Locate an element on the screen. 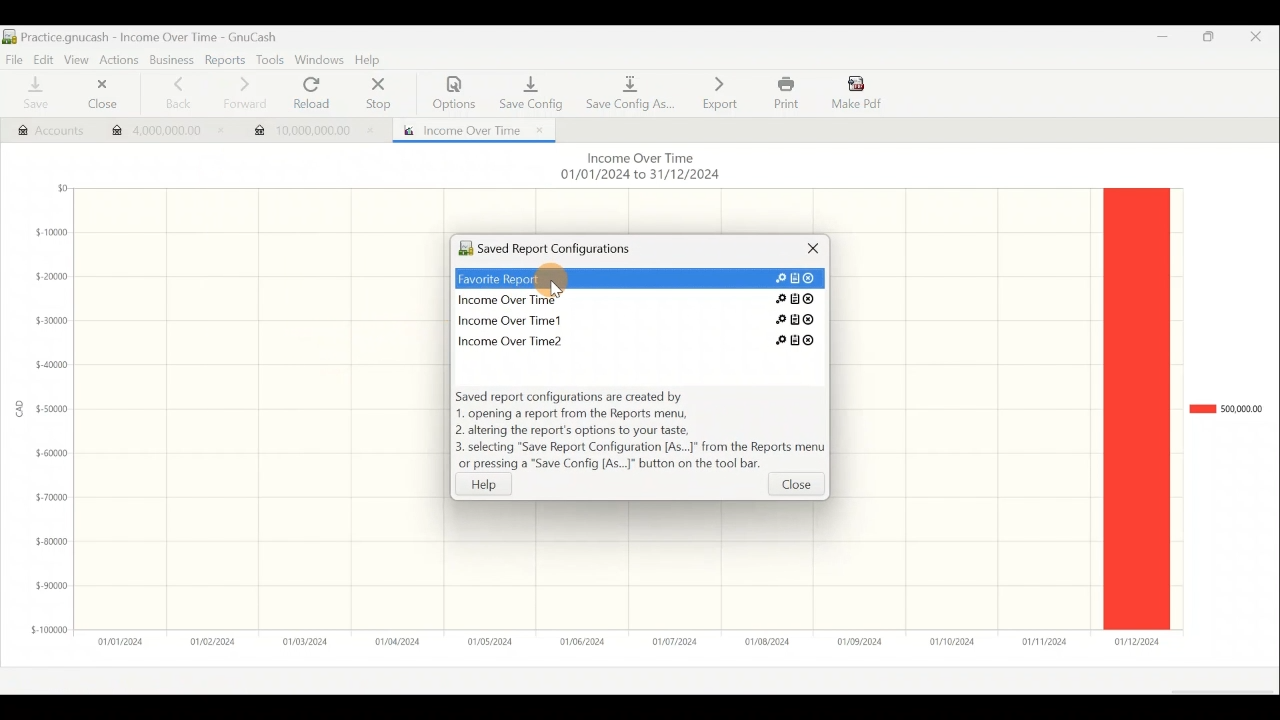 Image resolution: width=1280 pixels, height=720 pixels. Tools is located at coordinates (269, 60).